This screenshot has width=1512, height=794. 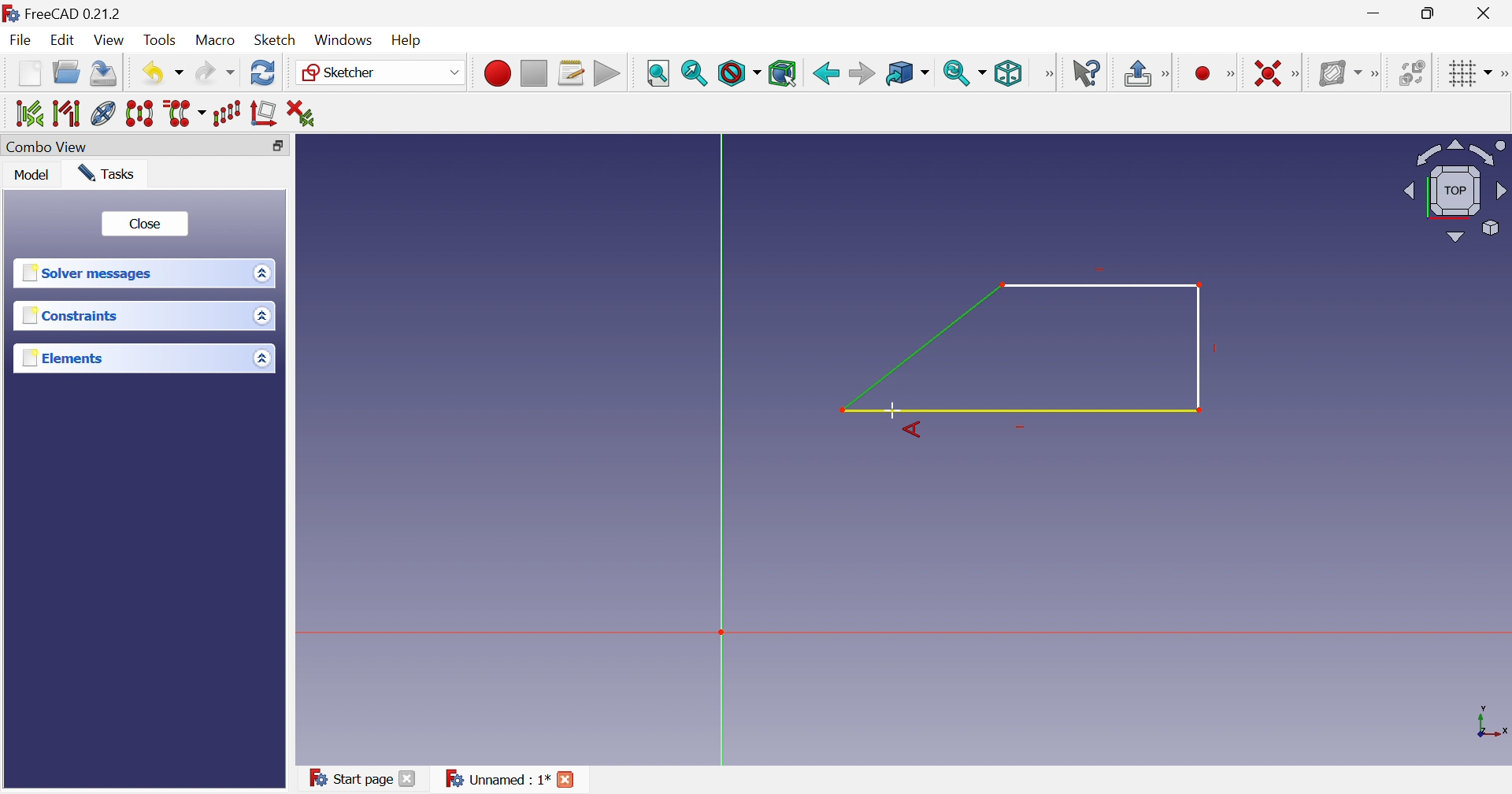 I want to click on Restore Down, so click(x=1430, y=13).